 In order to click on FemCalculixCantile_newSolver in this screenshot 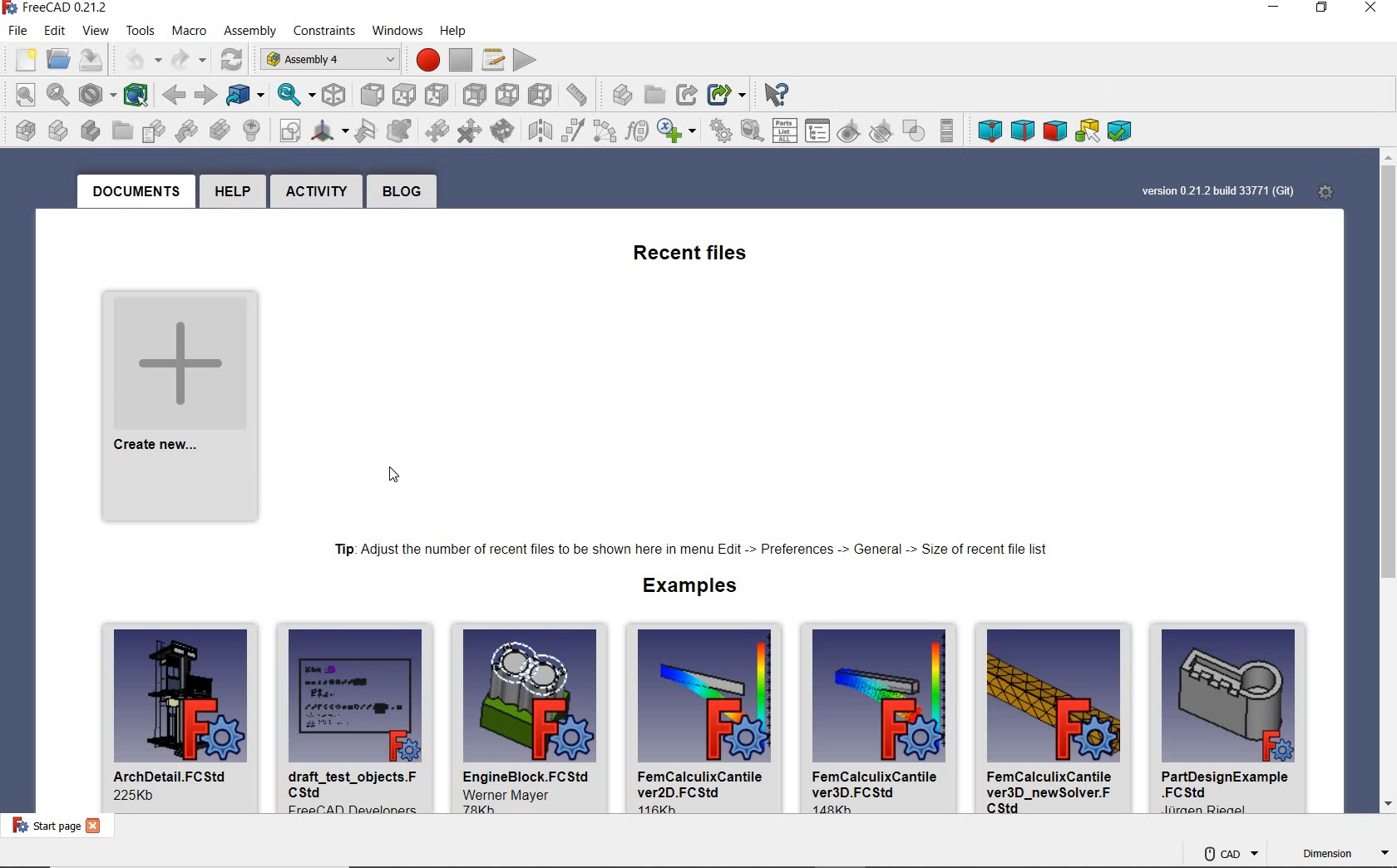, I will do `click(1059, 717)`.